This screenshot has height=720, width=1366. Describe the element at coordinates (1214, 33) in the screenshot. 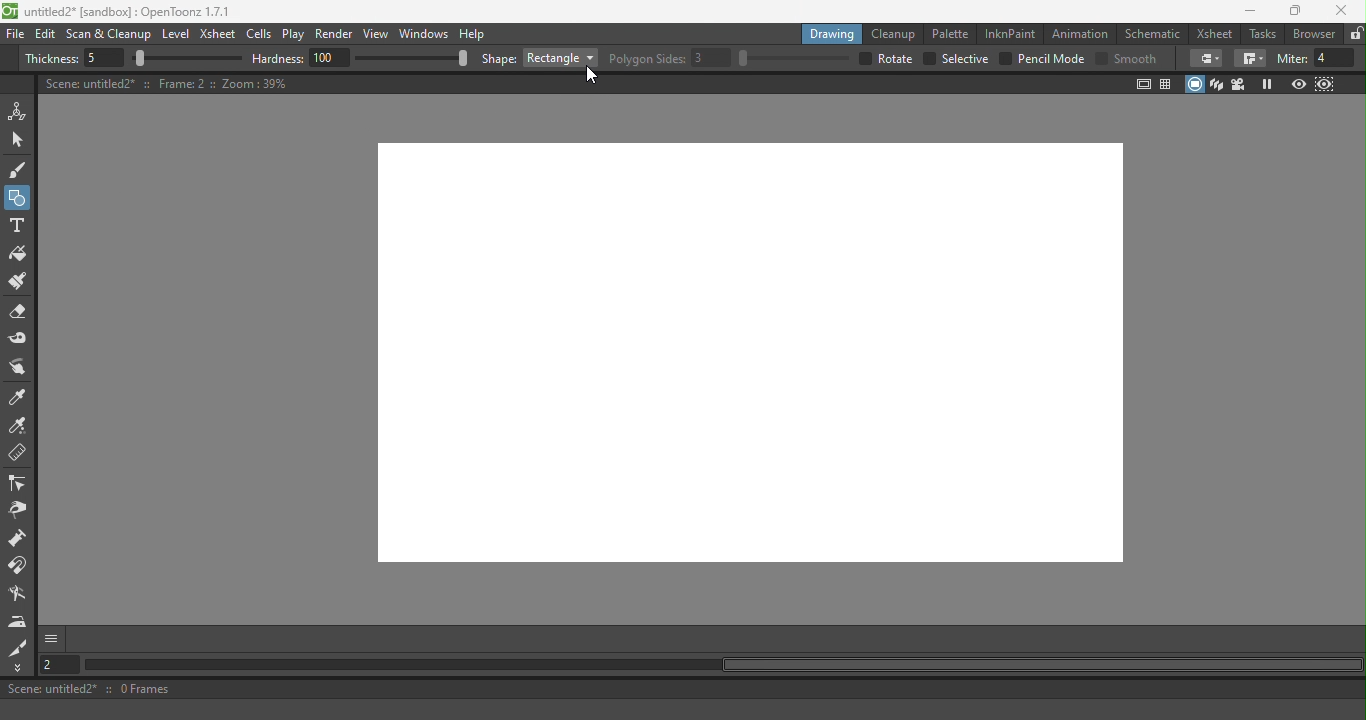

I see `Xsheet` at that location.